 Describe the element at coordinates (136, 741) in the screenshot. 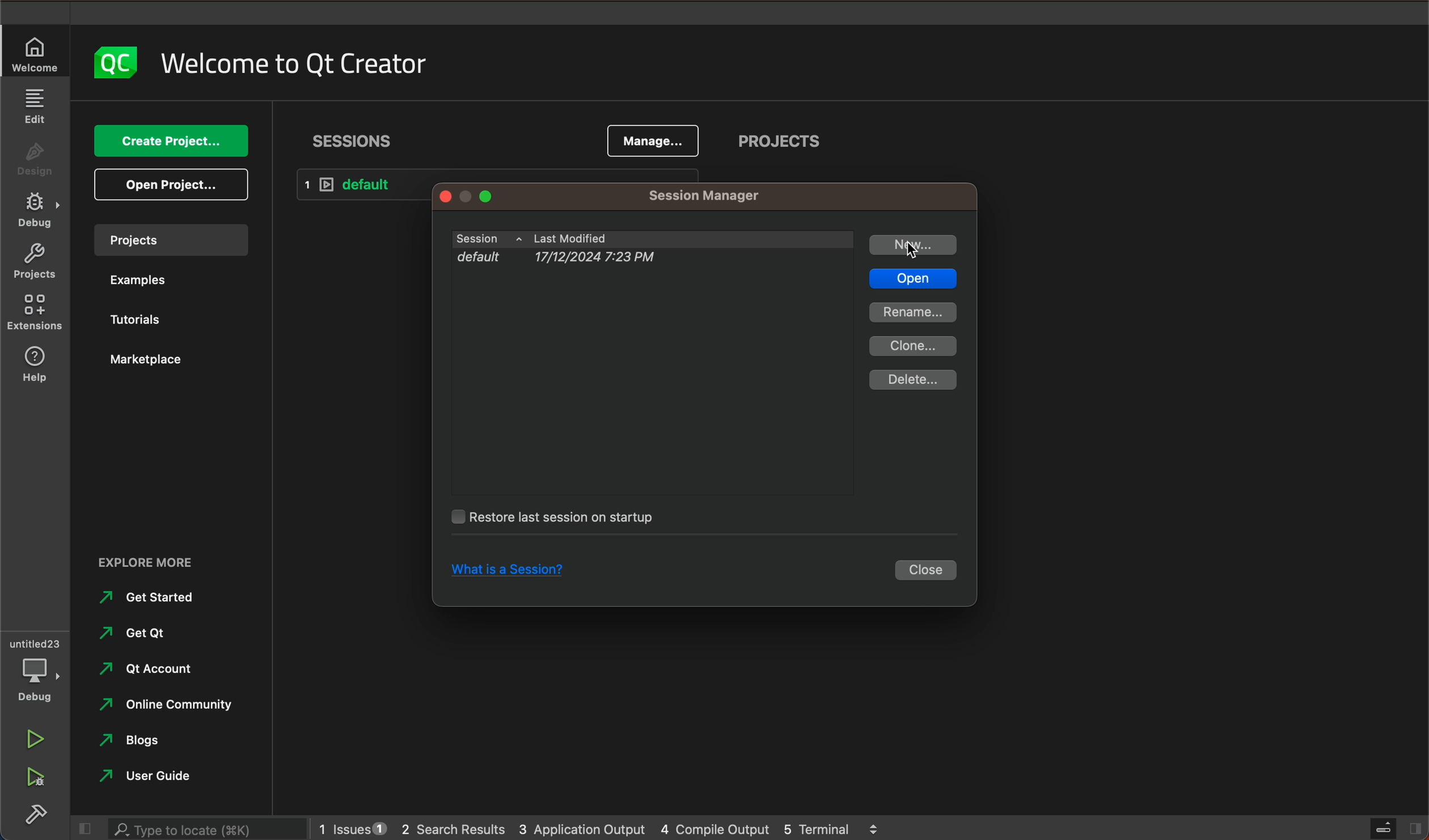

I see `blogs` at that location.